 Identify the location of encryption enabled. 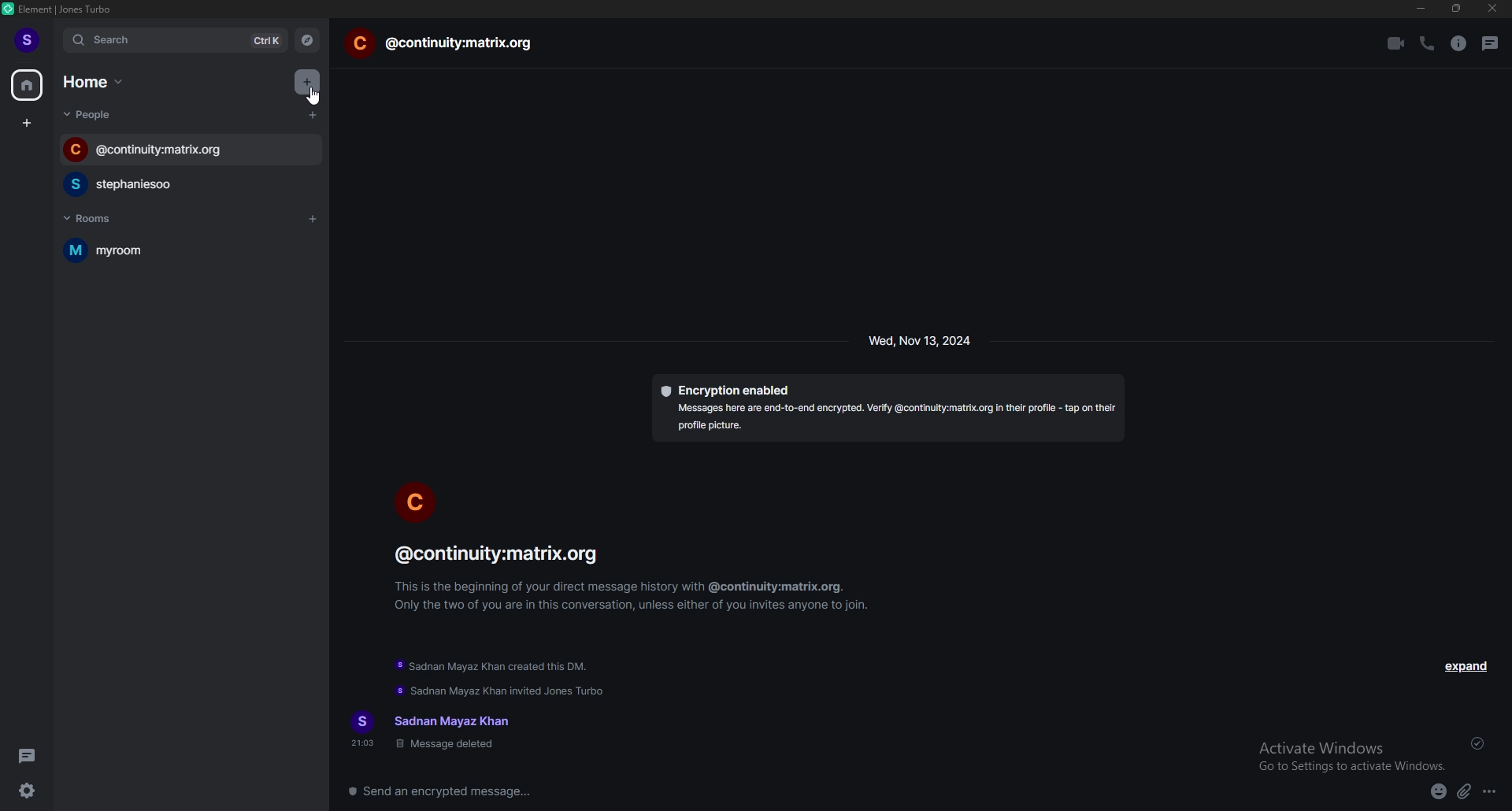
(888, 408).